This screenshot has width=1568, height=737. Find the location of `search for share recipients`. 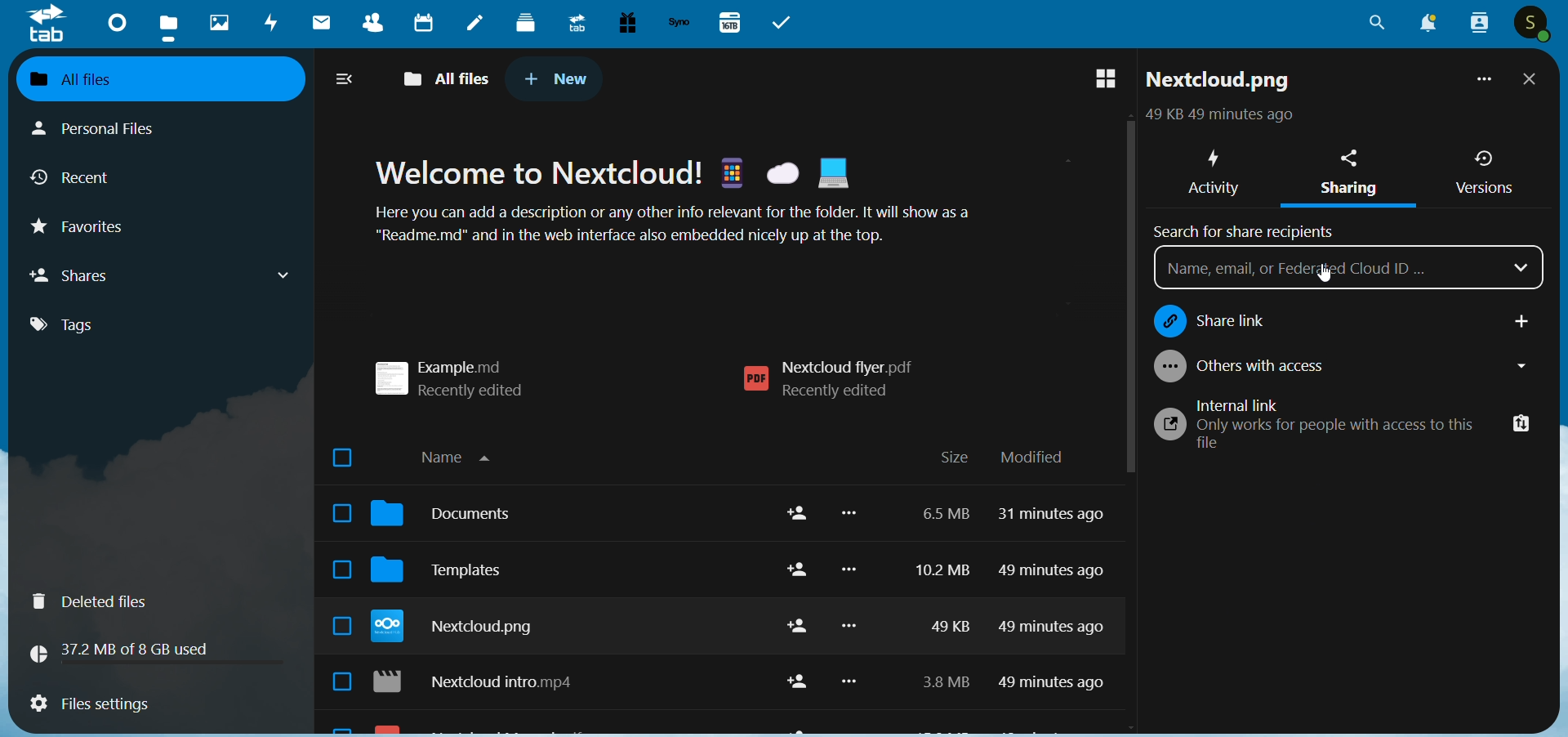

search for share recipients is located at coordinates (1249, 229).